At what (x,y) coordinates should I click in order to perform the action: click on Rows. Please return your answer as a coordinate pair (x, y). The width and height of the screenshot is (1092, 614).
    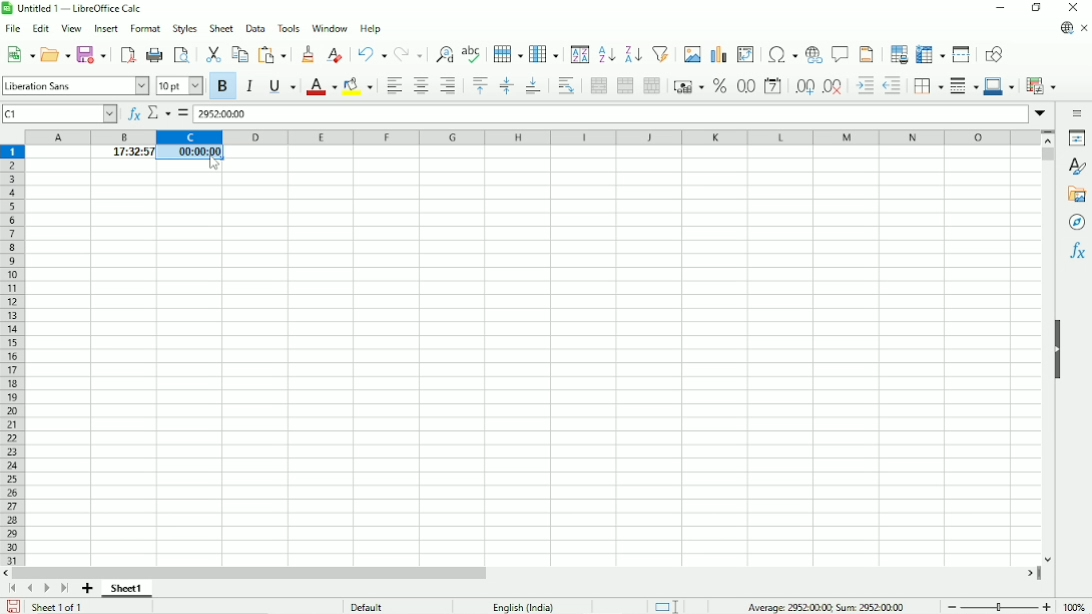
    Looking at the image, I should click on (508, 53).